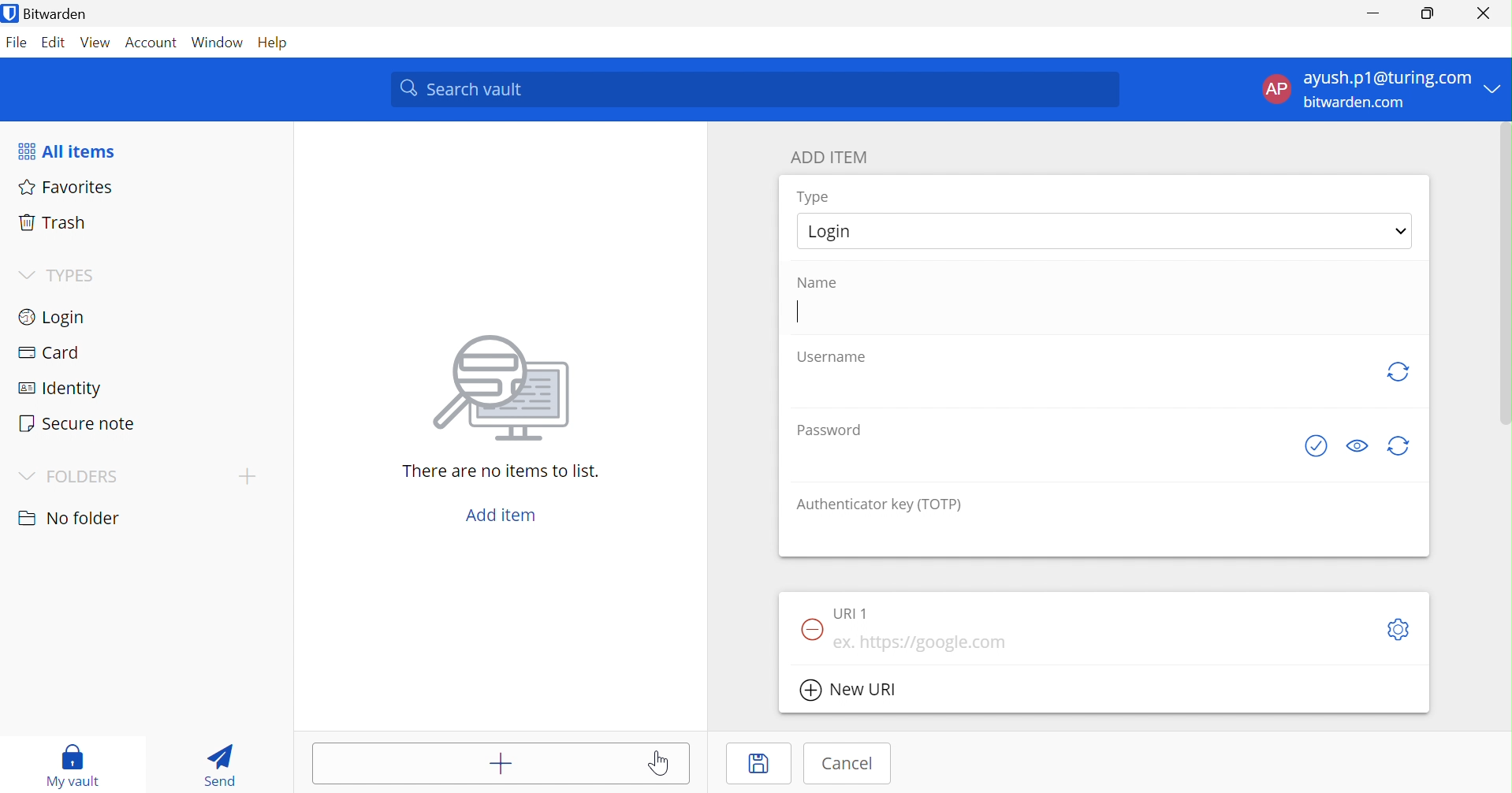 This screenshot has width=1512, height=793. Describe the element at coordinates (809, 631) in the screenshot. I see `Remove` at that location.